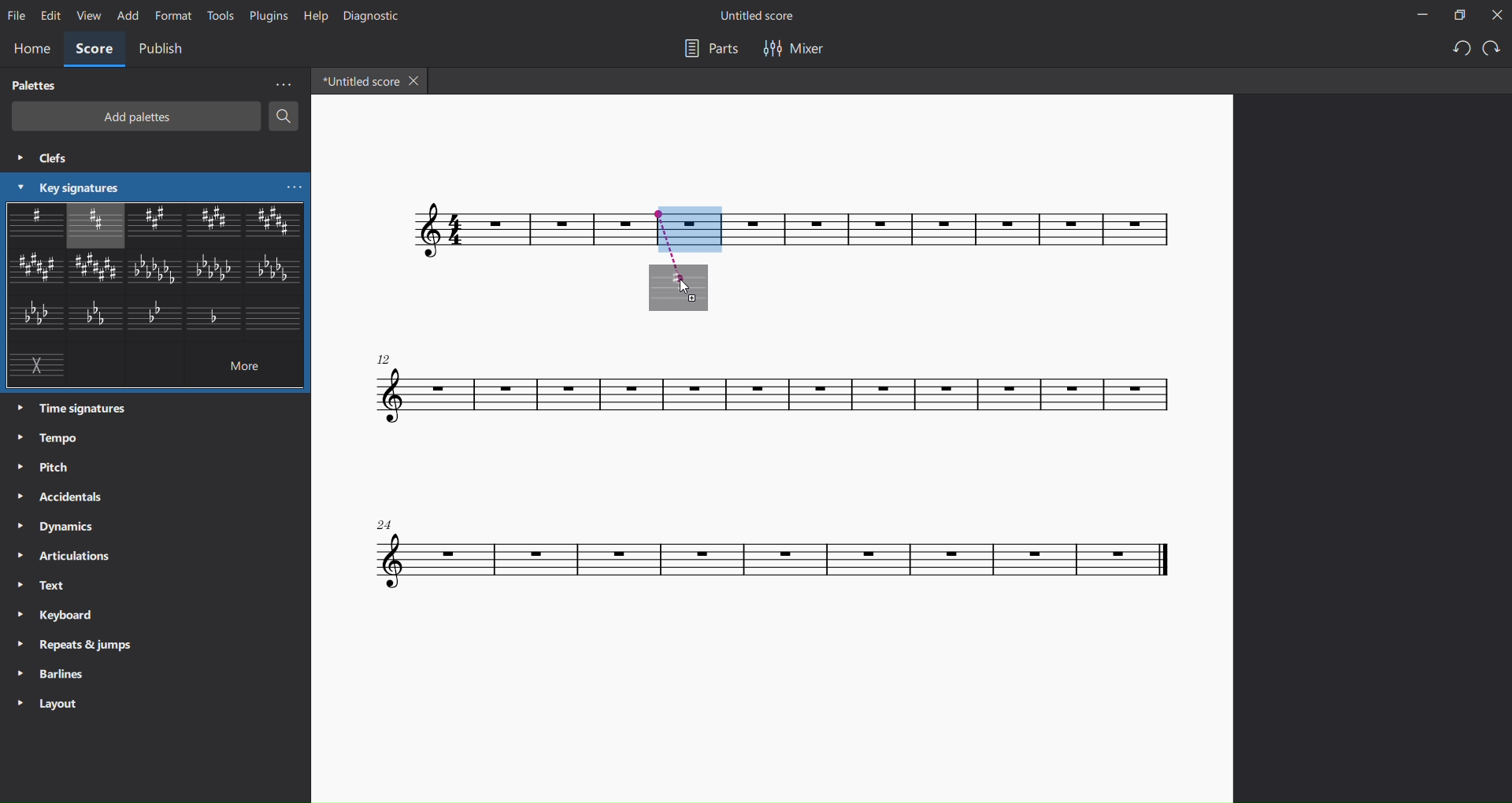 The image size is (1512, 803). I want to click on more key signatures options, so click(296, 191).